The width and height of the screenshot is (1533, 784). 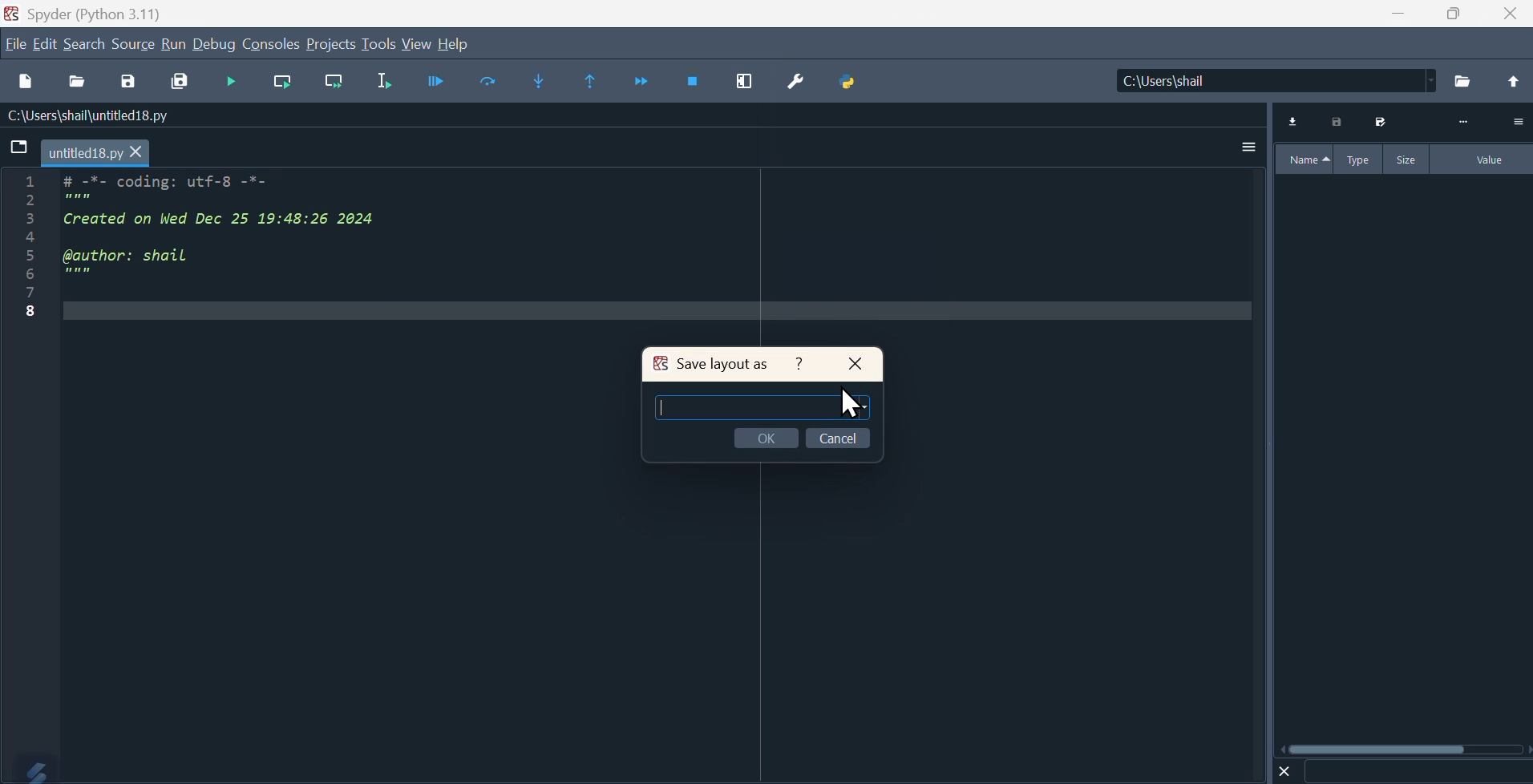 What do you see at coordinates (1378, 122) in the screenshot?
I see `Save` at bounding box center [1378, 122].